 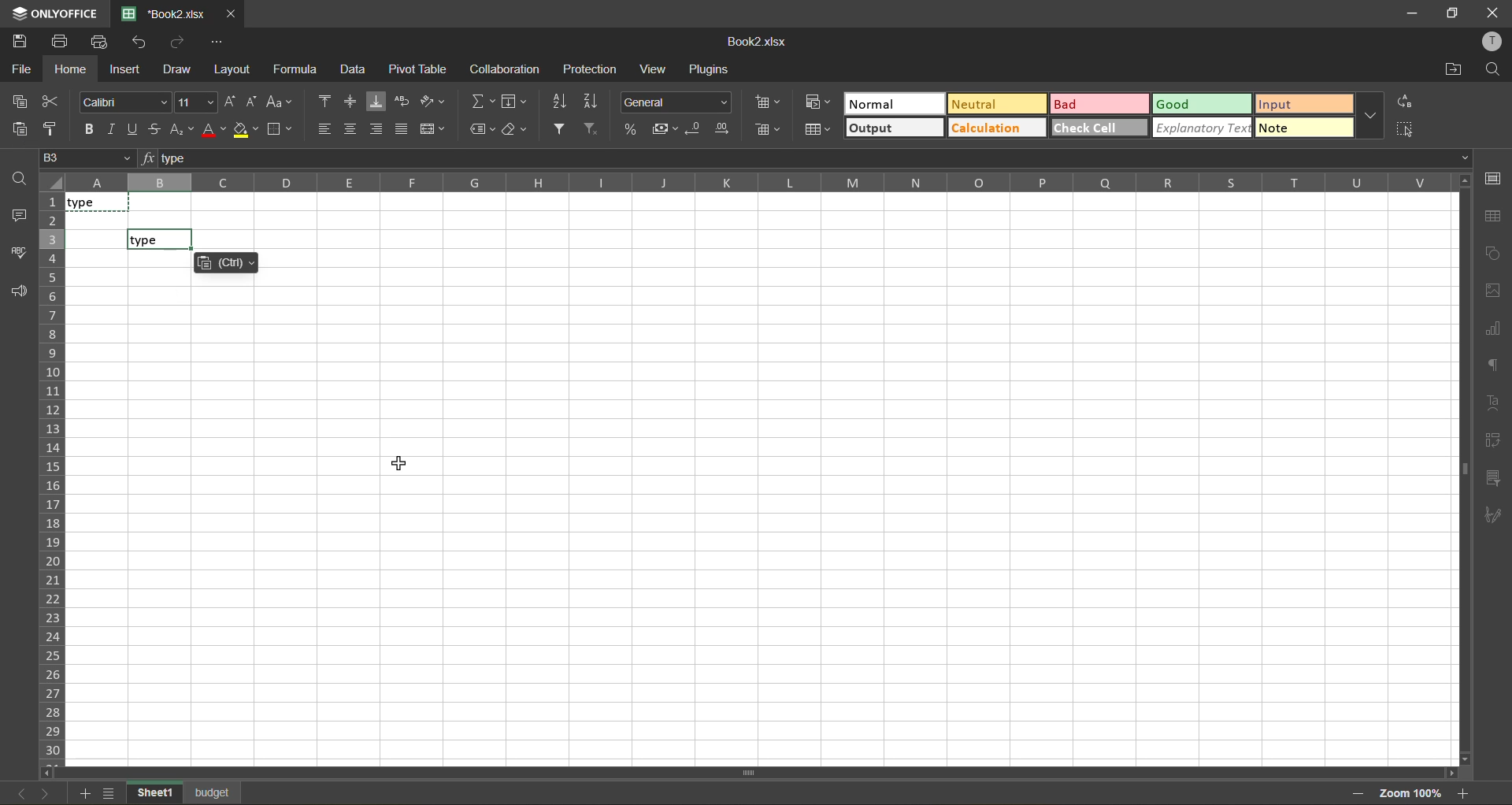 What do you see at coordinates (756, 184) in the screenshot?
I see `column names` at bounding box center [756, 184].